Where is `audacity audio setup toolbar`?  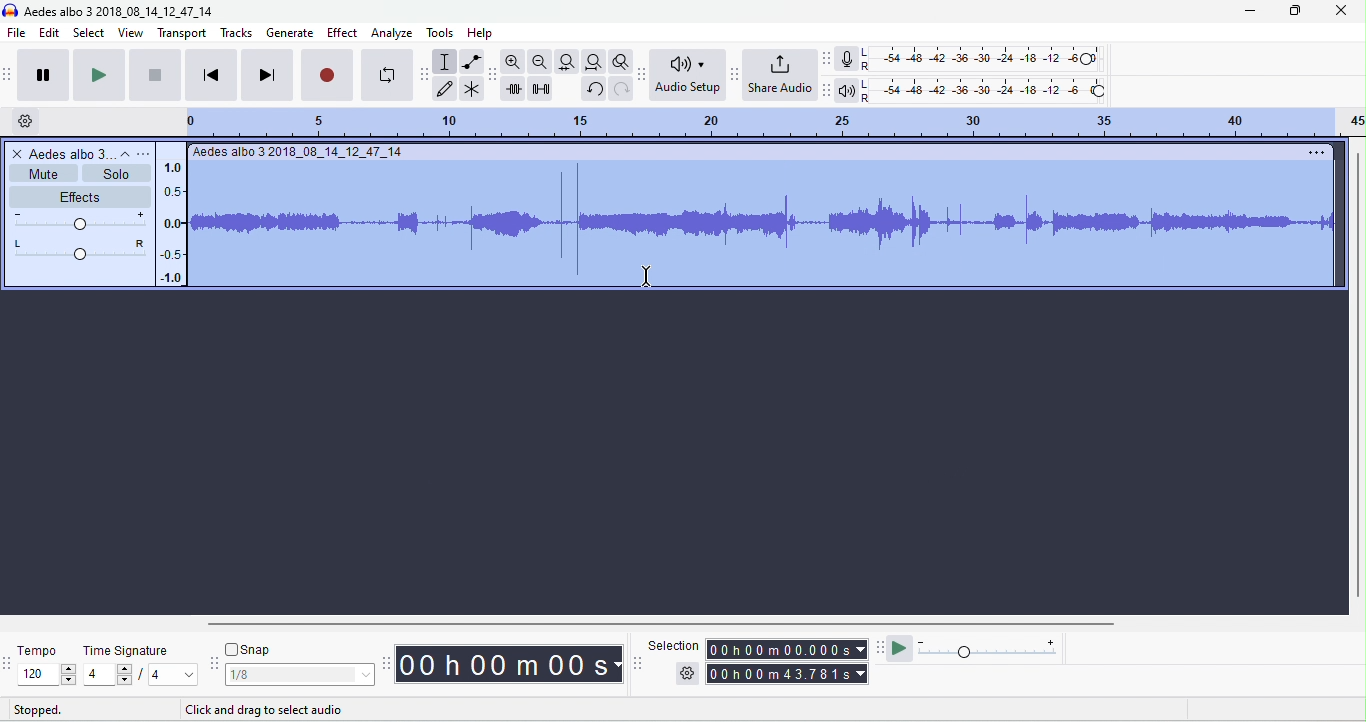
audacity audio setup toolbar is located at coordinates (642, 76).